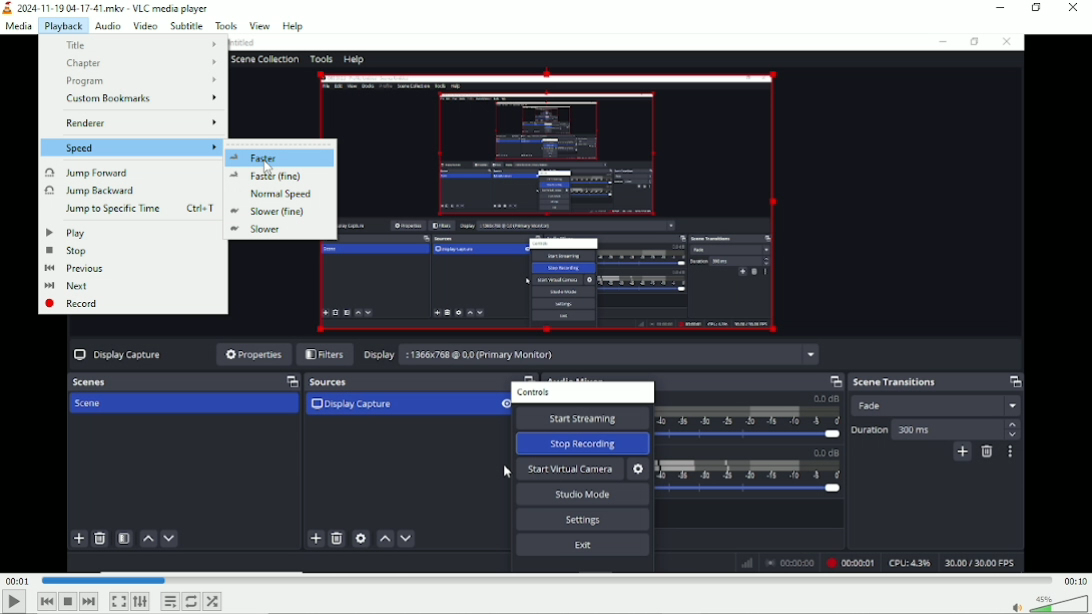 The height and width of the screenshot is (614, 1092). Describe the element at coordinates (140, 601) in the screenshot. I see `Show extended settings` at that location.